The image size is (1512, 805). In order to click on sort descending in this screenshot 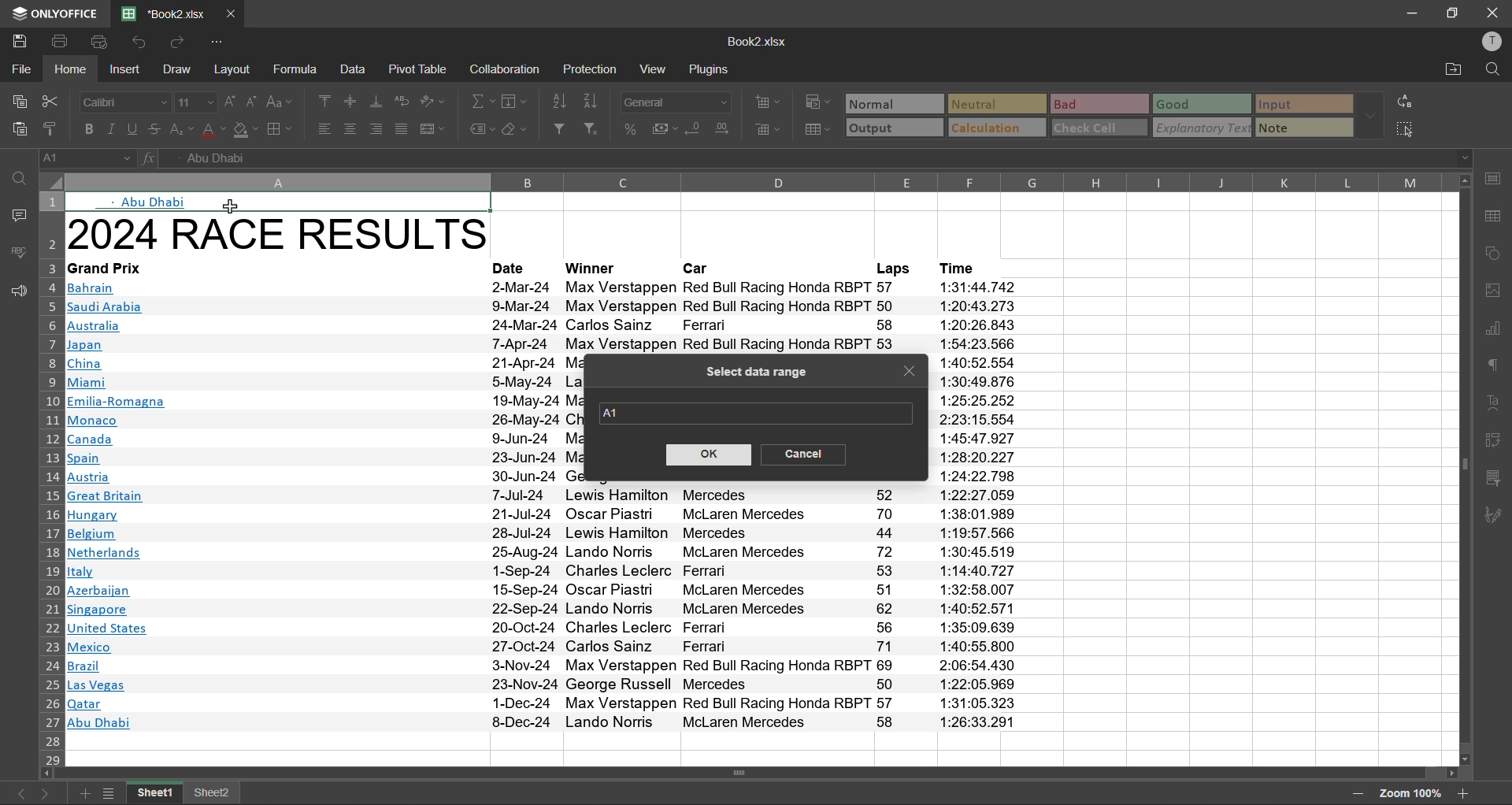, I will do `click(591, 103)`.